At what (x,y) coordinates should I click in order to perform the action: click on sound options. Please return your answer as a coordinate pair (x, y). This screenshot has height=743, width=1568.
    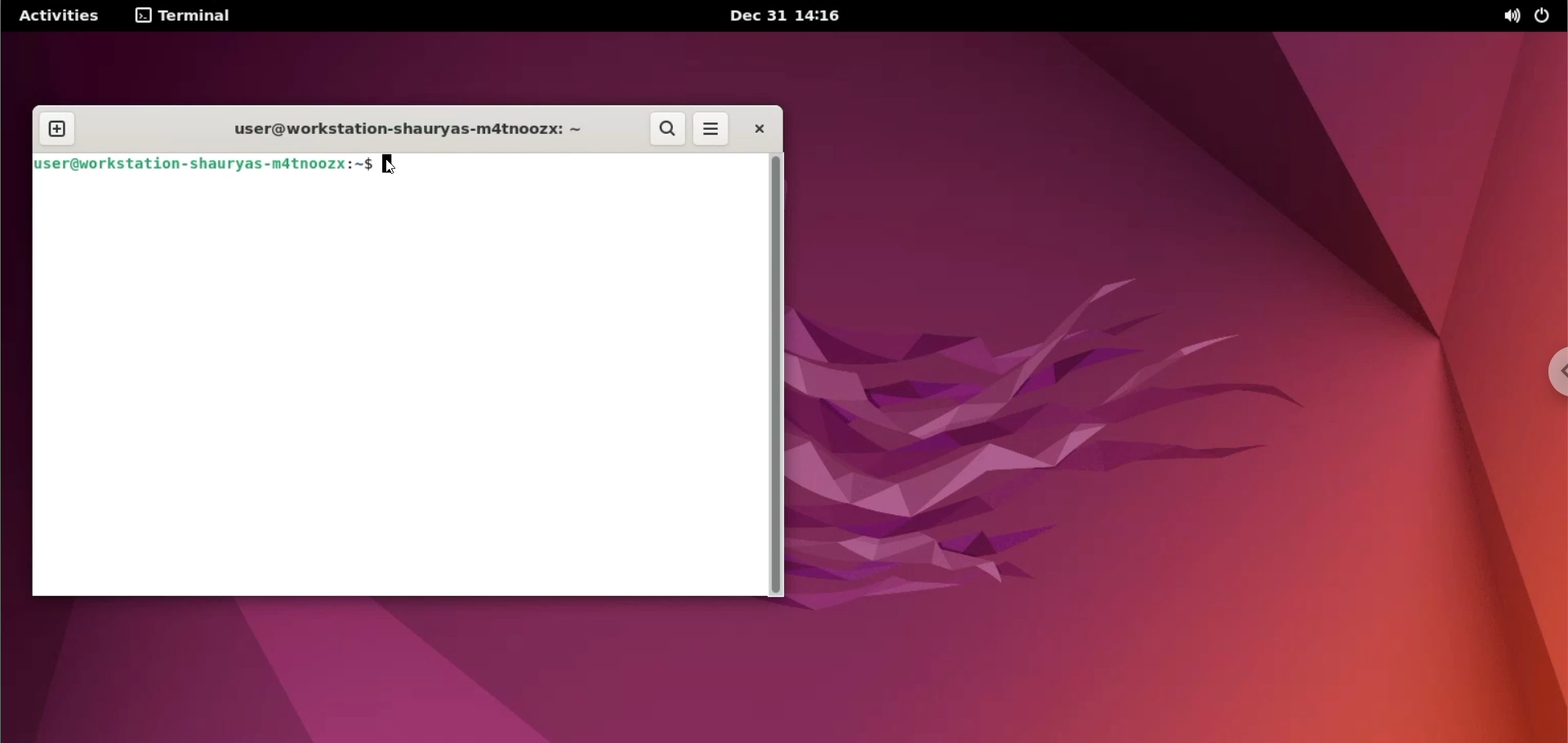
    Looking at the image, I should click on (1512, 18).